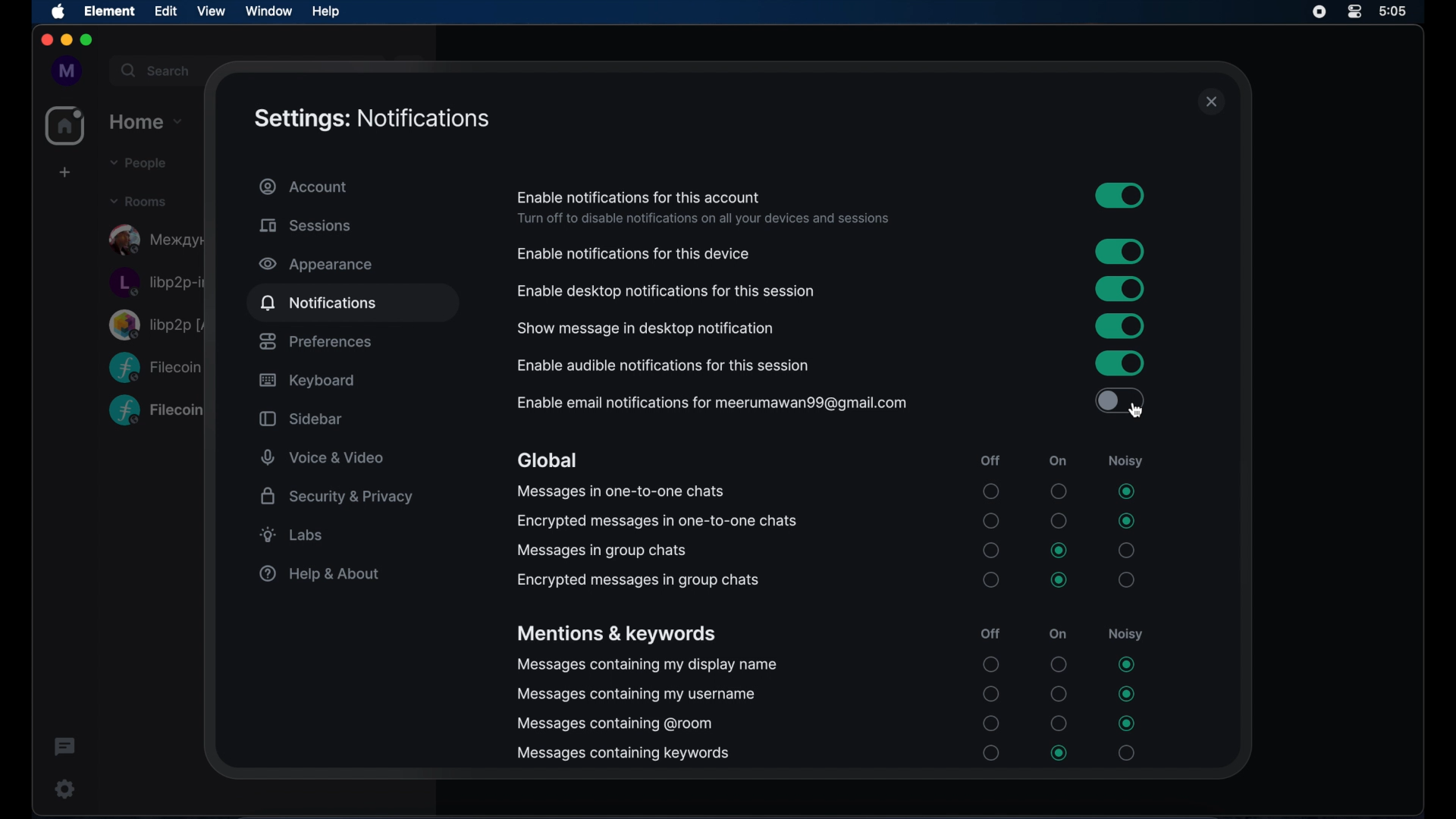 Image resolution: width=1456 pixels, height=819 pixels. What do you see at coordinates (65, 40) in the screenshot?
I see `minimize` at bounding box center [65, 40].